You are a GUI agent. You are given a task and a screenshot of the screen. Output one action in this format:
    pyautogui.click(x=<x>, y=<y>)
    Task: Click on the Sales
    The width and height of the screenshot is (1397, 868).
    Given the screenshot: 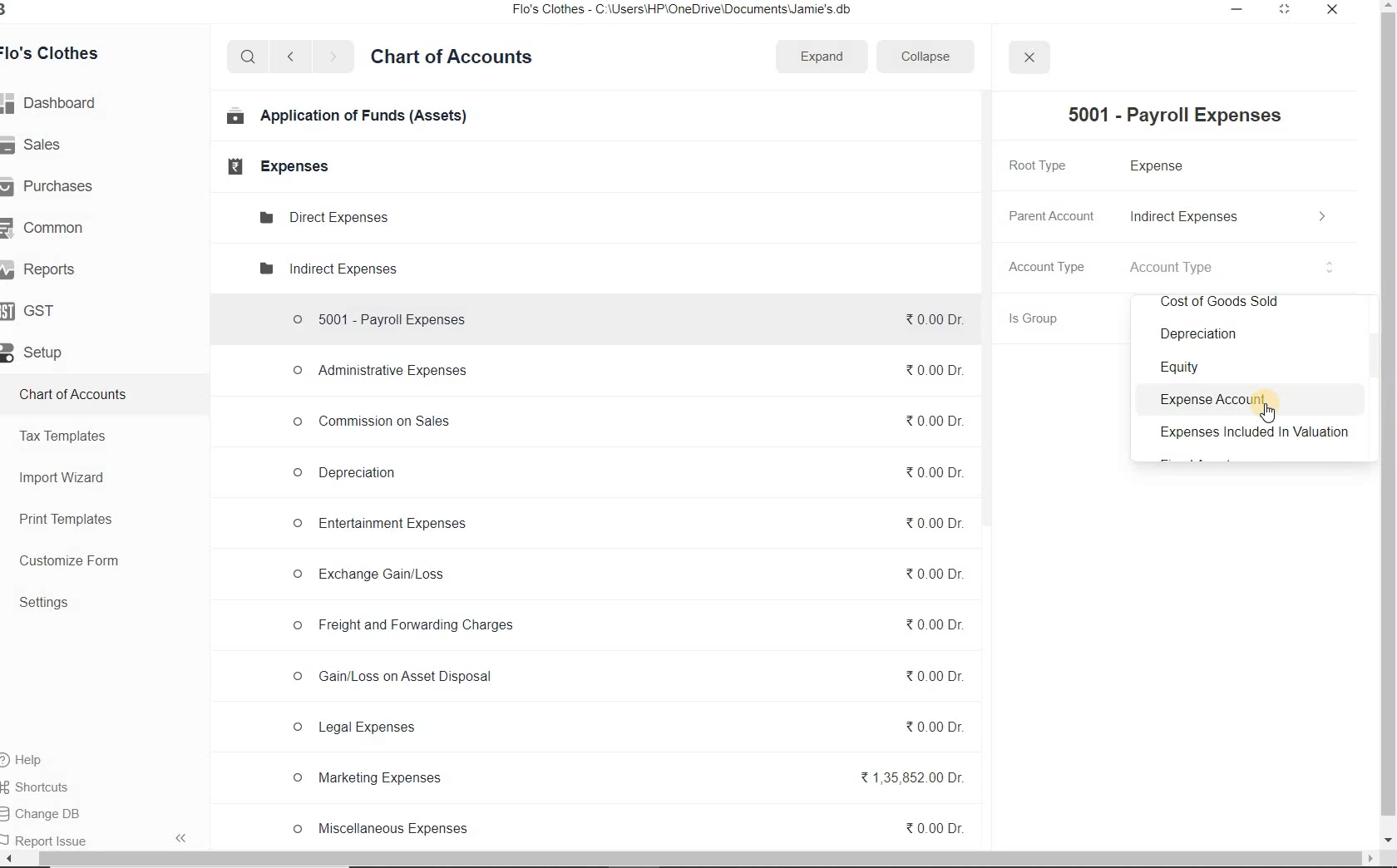 What is the action you would take?
    pyautogui.click(x=39, y=145)
    